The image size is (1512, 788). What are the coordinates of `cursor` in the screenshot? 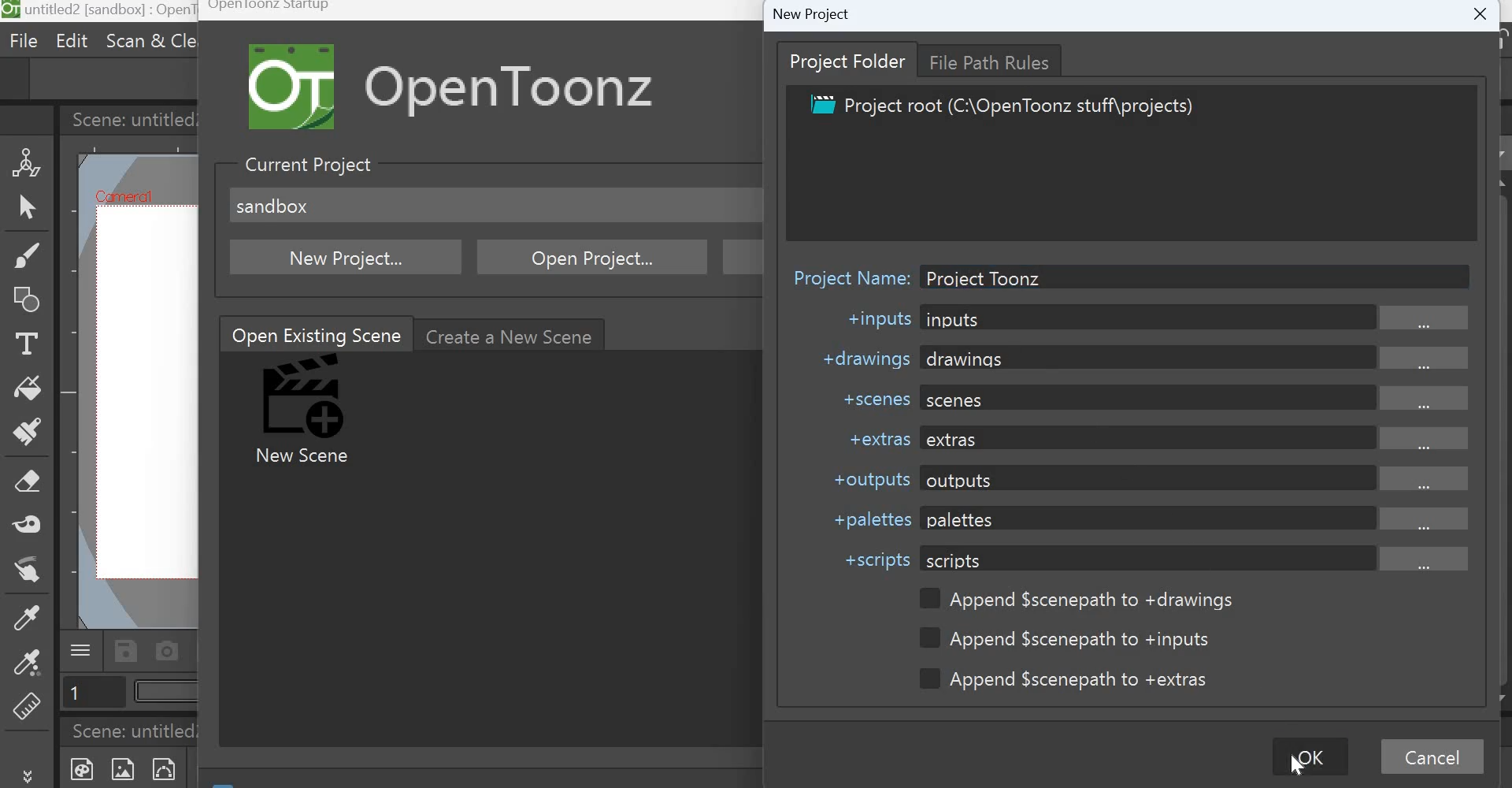 It's located at (1297, 764).